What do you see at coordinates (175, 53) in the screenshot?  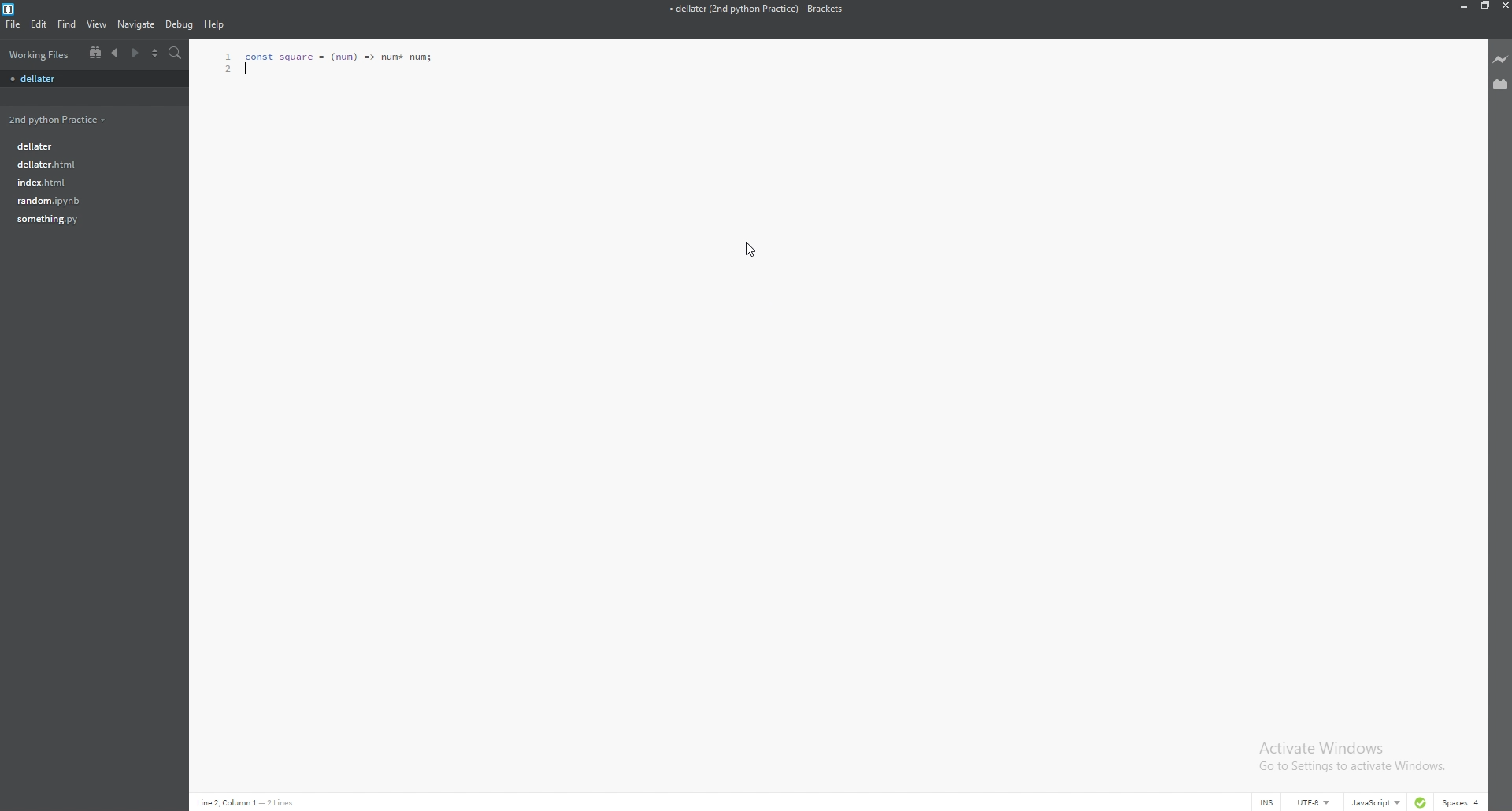 I see `search` at bounding box center [175, 53].